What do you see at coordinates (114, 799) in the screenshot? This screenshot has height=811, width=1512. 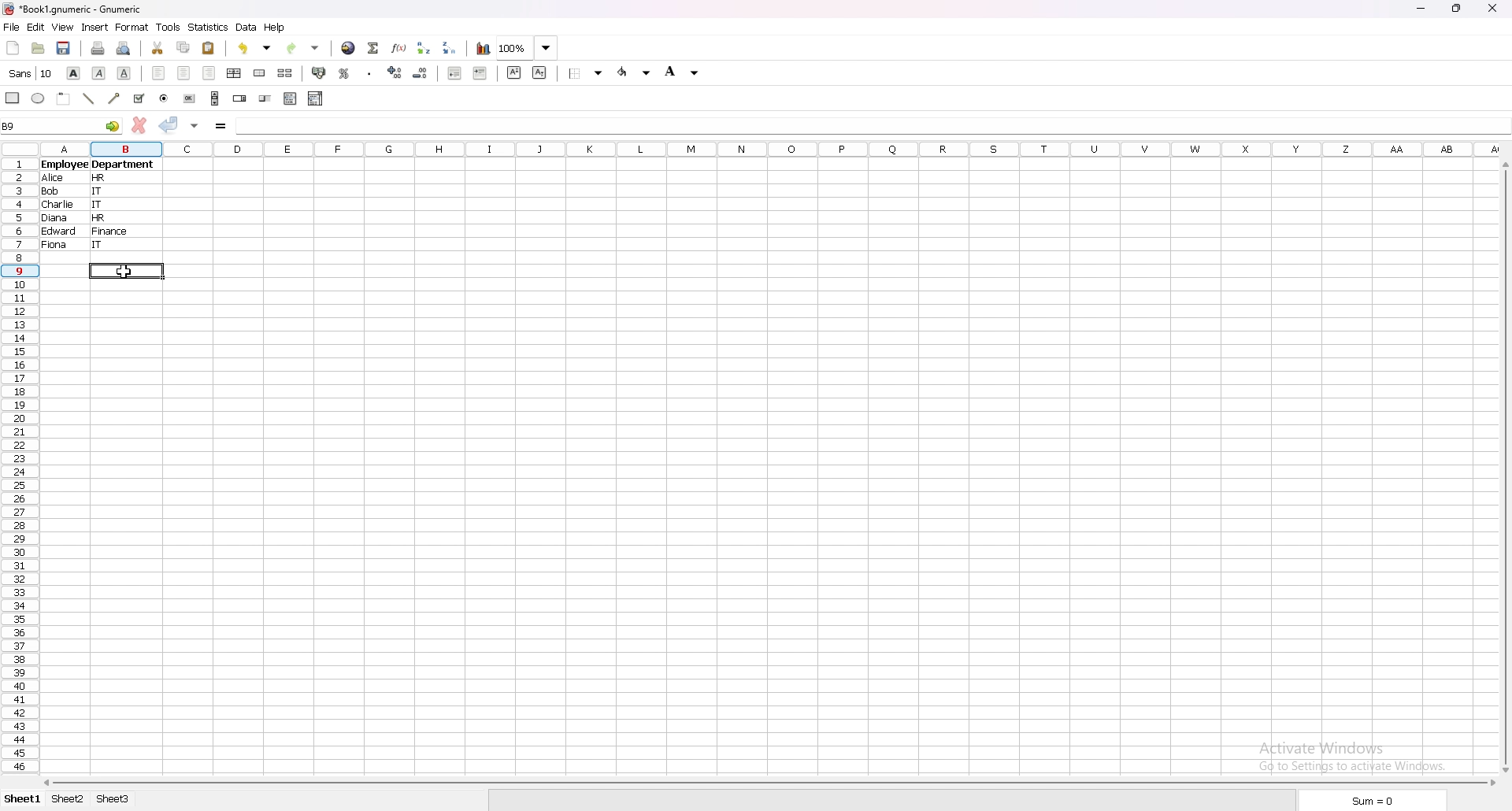 I see `sheet 3` at bounding box center [114, 799].